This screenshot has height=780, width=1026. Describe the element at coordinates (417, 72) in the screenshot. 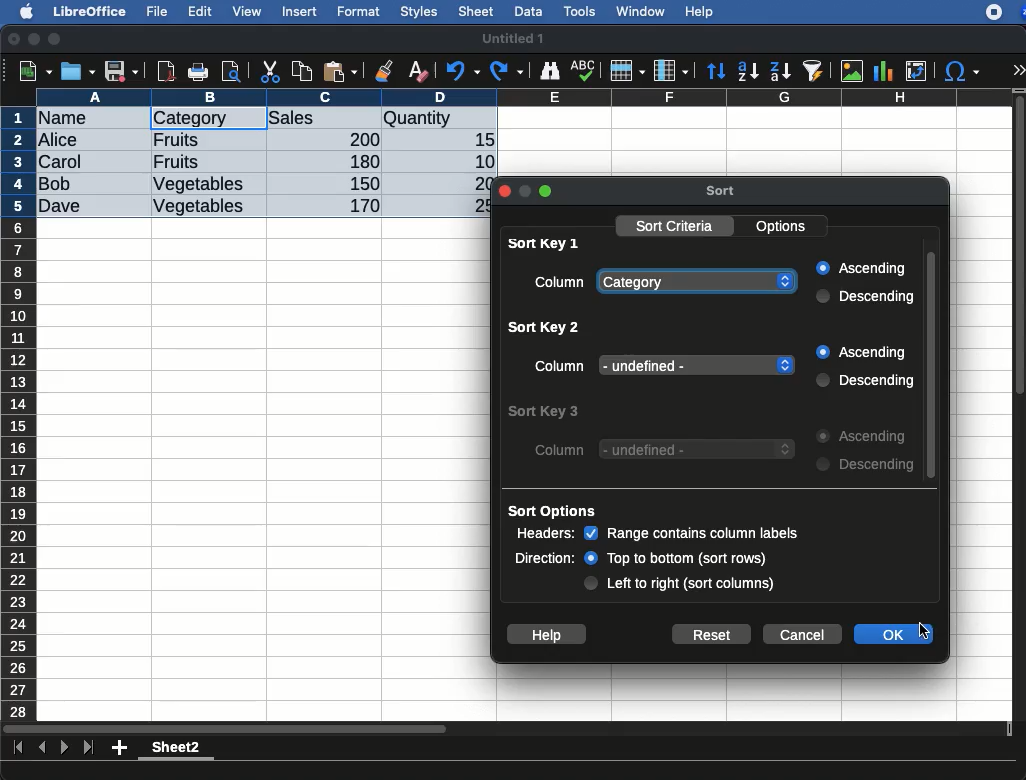

I see `clear formatting` at that location.